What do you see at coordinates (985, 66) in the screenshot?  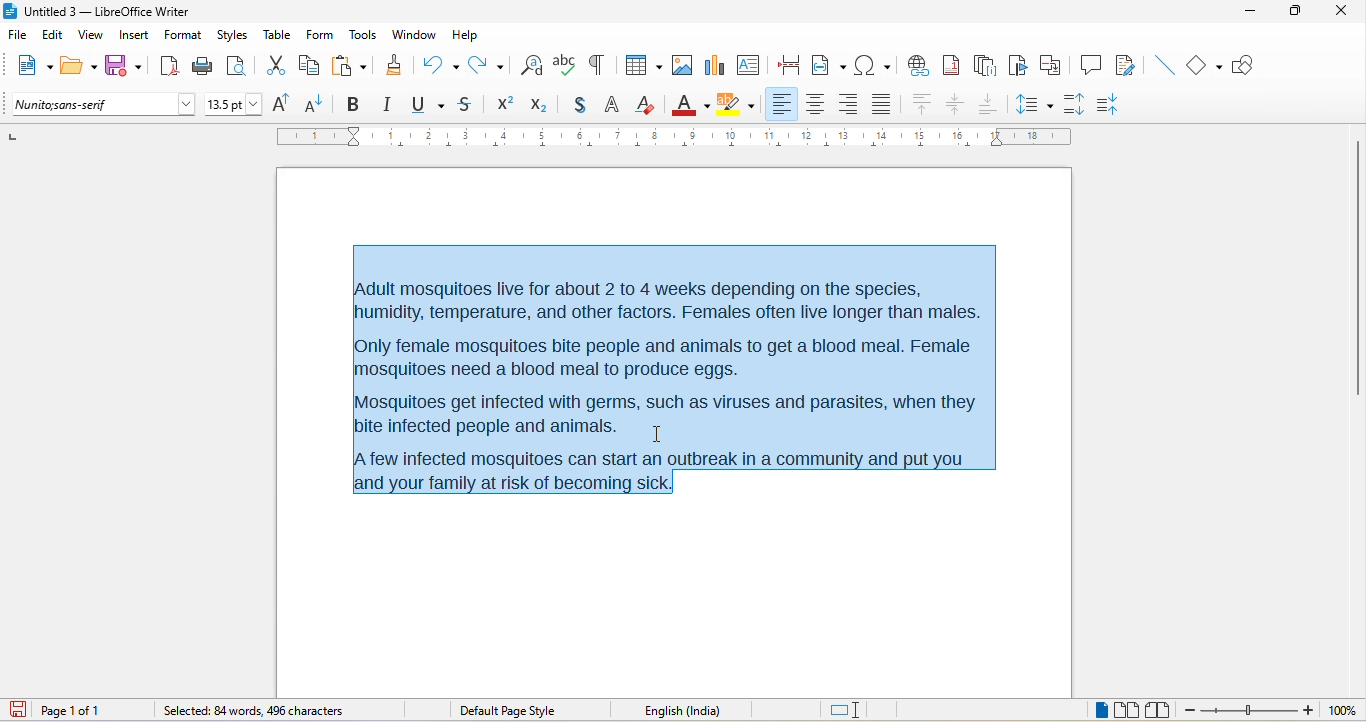 I see `endnote` at bounding box center [985, 66].